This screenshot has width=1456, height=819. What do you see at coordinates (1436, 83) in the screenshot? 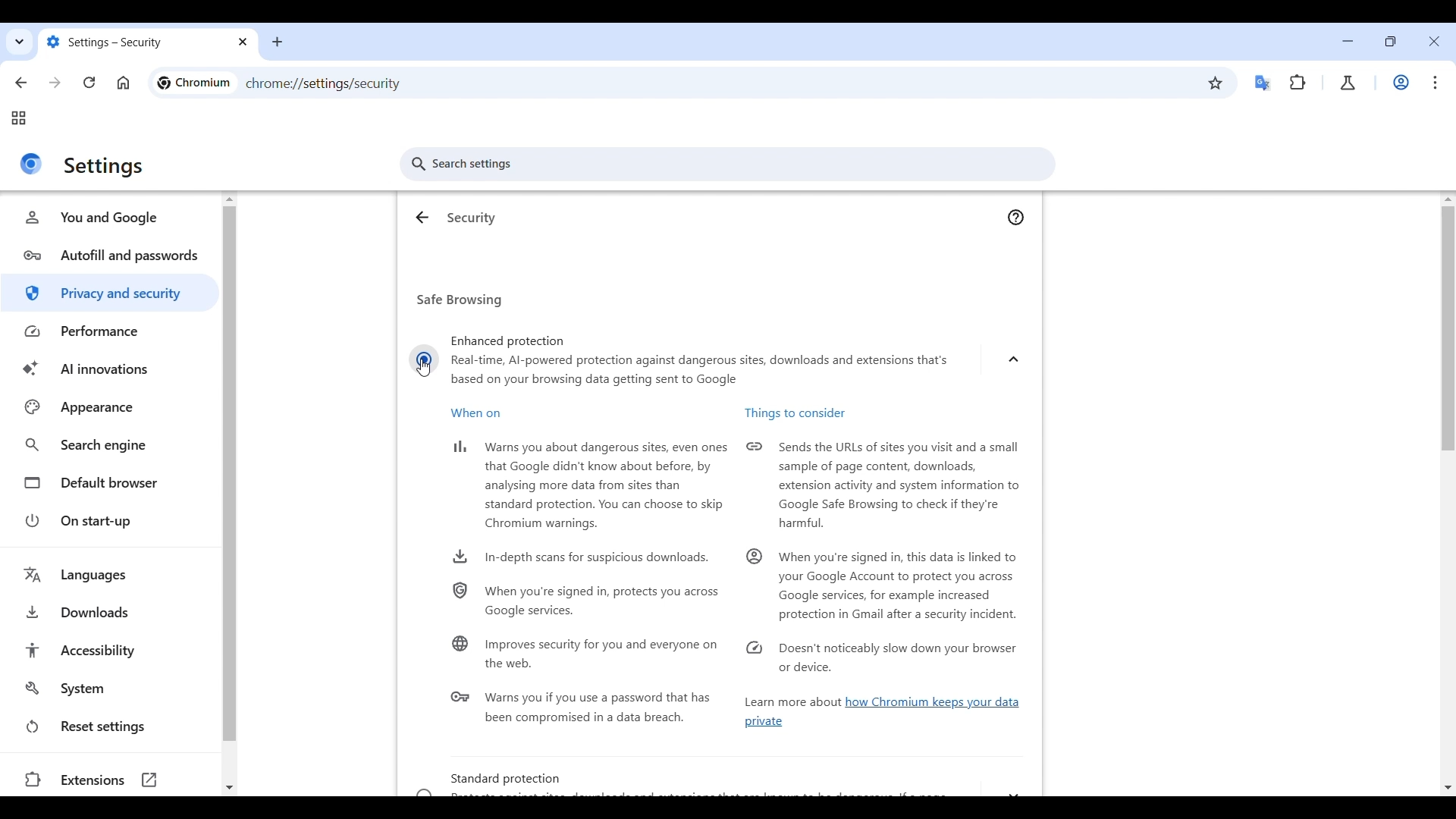
I see `Customize and control Chromium highlighted` at bounding box center [1436, 83].